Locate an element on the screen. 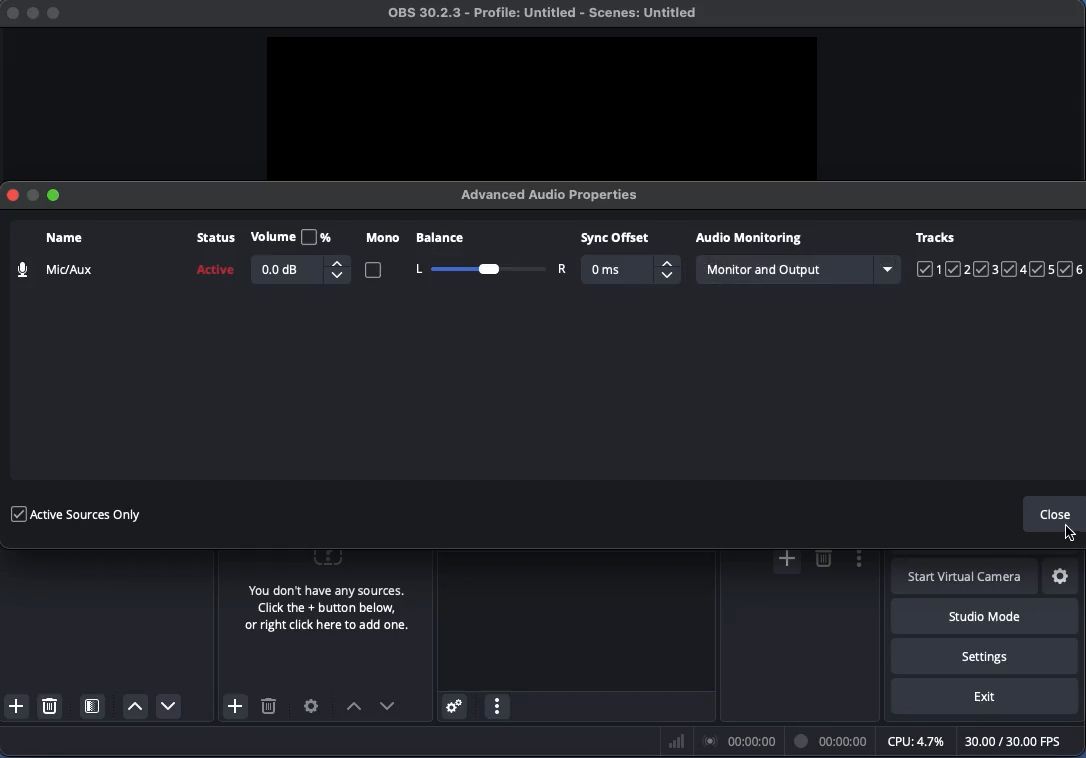  Advanced audio properties is located at coordinates (555, 194).